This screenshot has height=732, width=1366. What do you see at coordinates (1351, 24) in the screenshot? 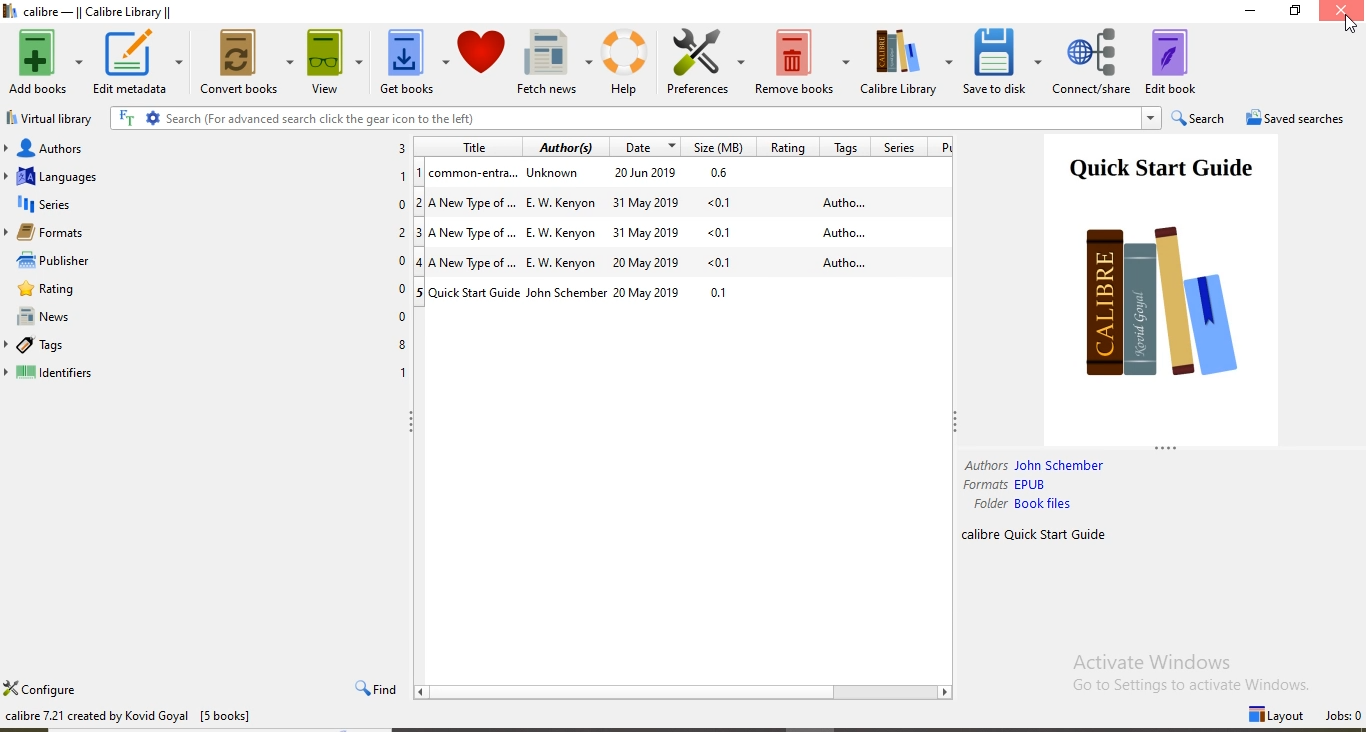
I see `Cursor` at bounding box center [1351, 24].